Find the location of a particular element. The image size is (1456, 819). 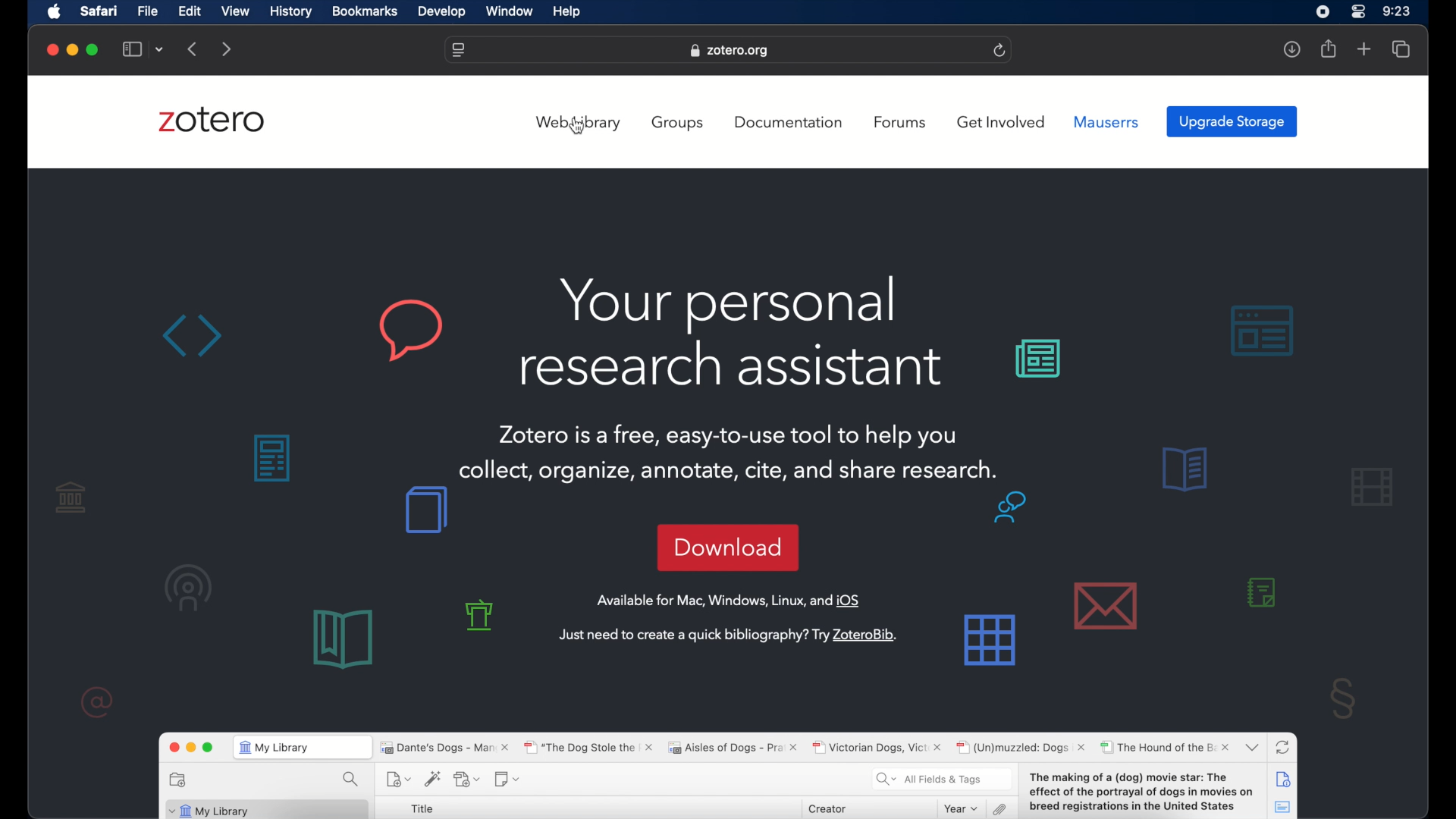

downloads is located at coordinates (1291, 49).